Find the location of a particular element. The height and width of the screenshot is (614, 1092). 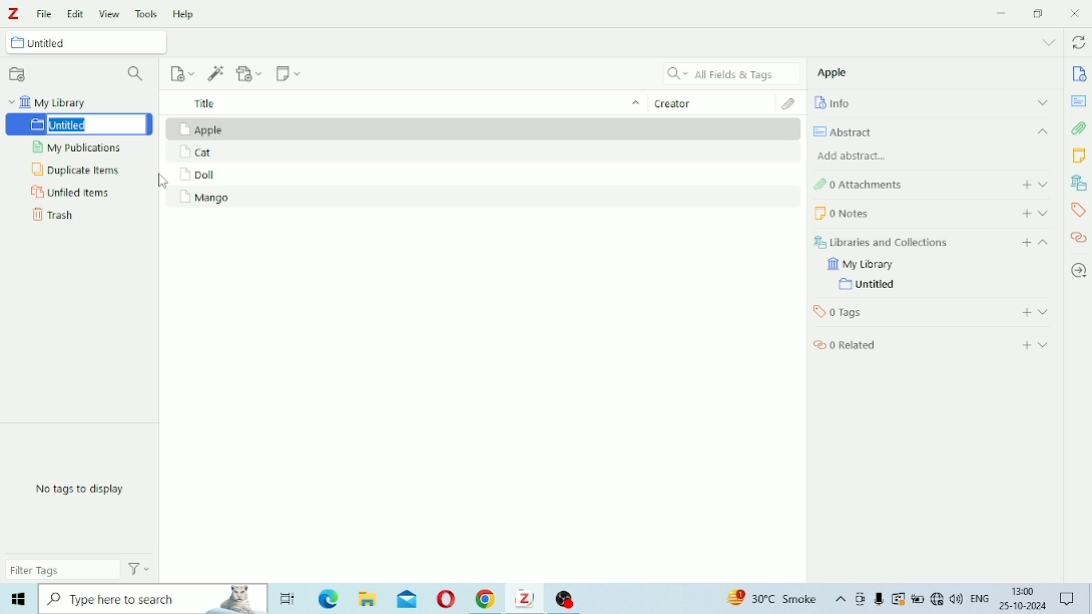

Notes is located at coordinates (840, 214).